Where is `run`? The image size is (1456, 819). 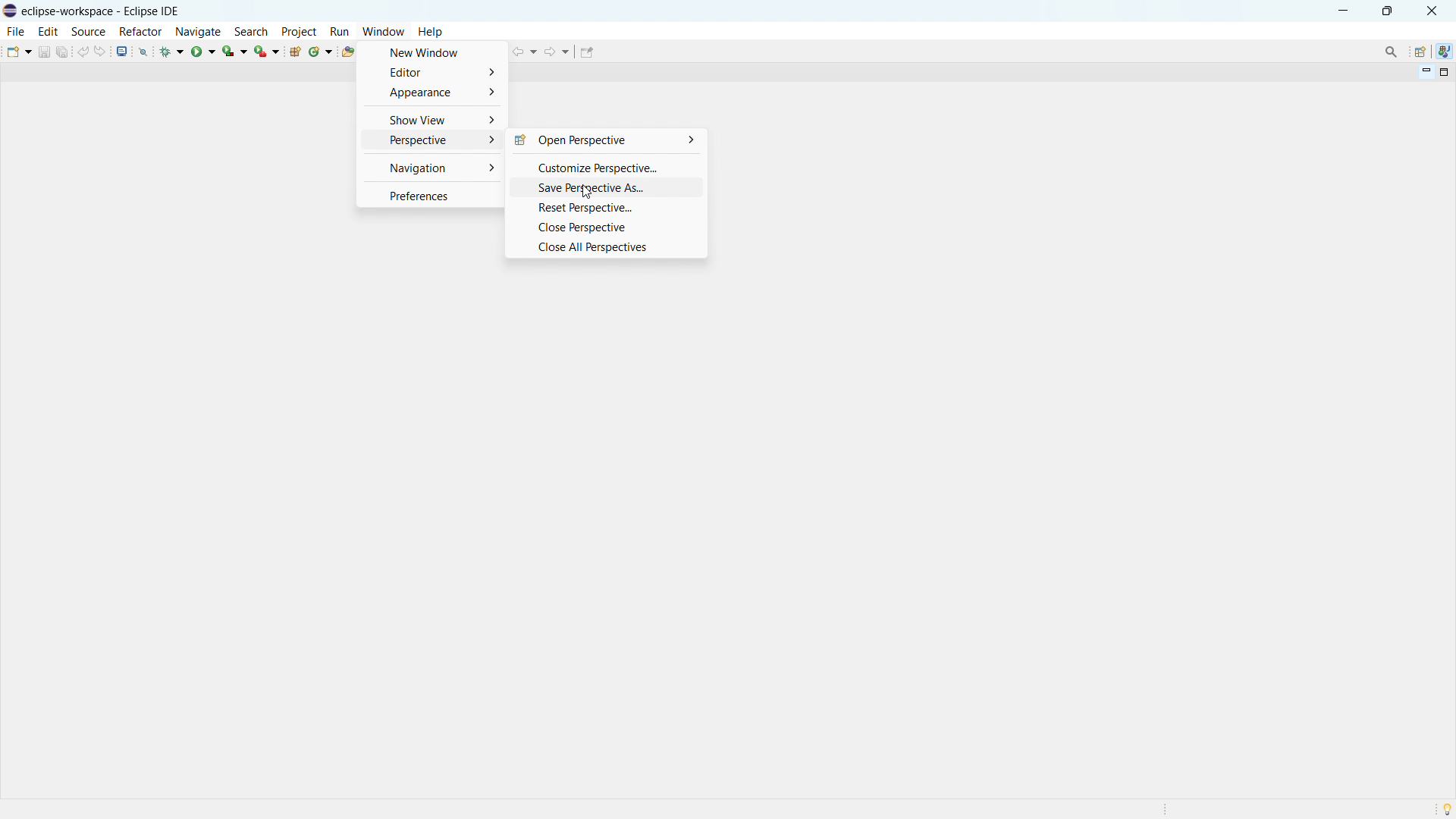
run is located at coordinates (203, 51).